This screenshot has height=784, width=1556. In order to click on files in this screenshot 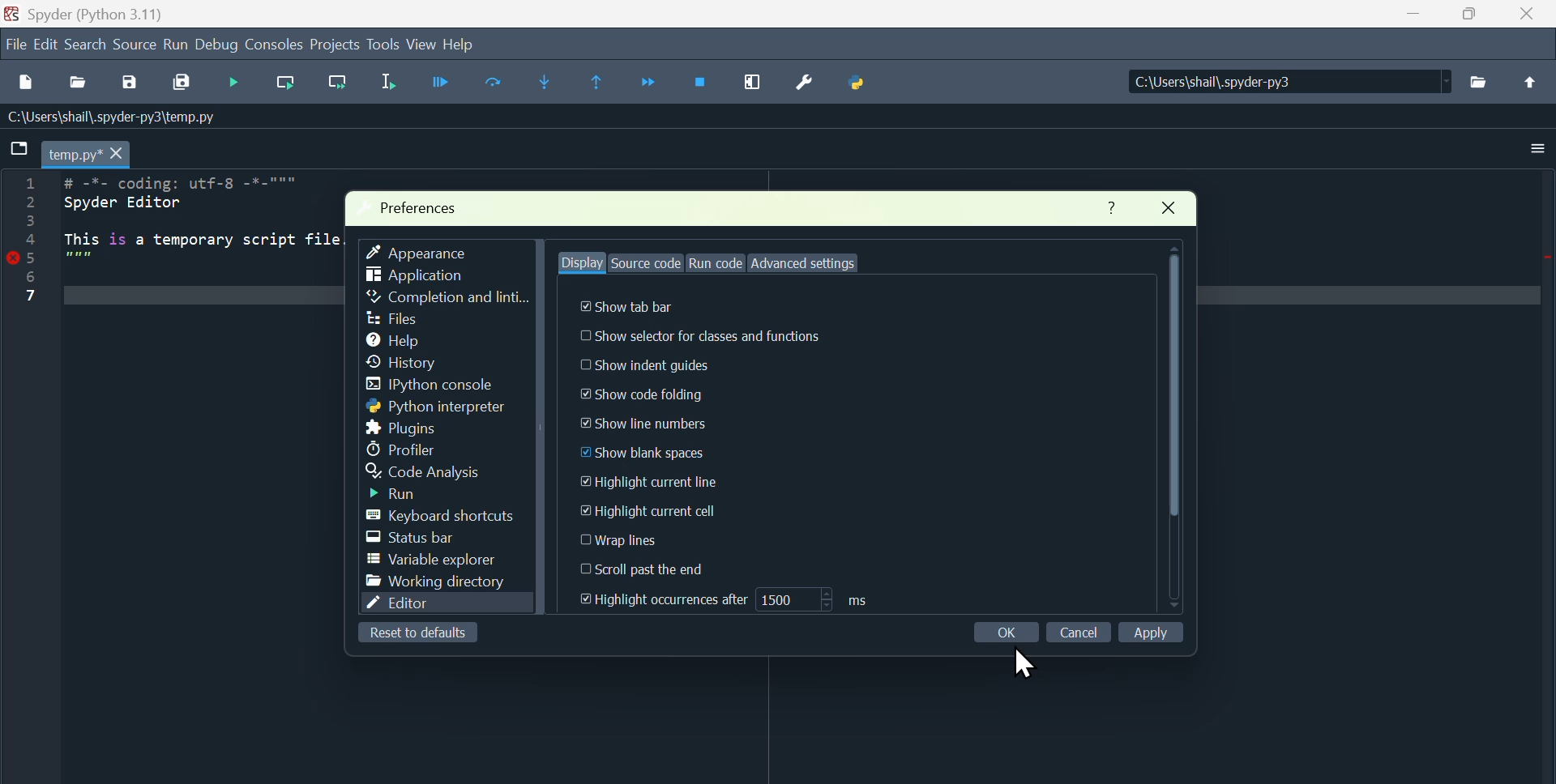, I will do `click(1474, 83)`.